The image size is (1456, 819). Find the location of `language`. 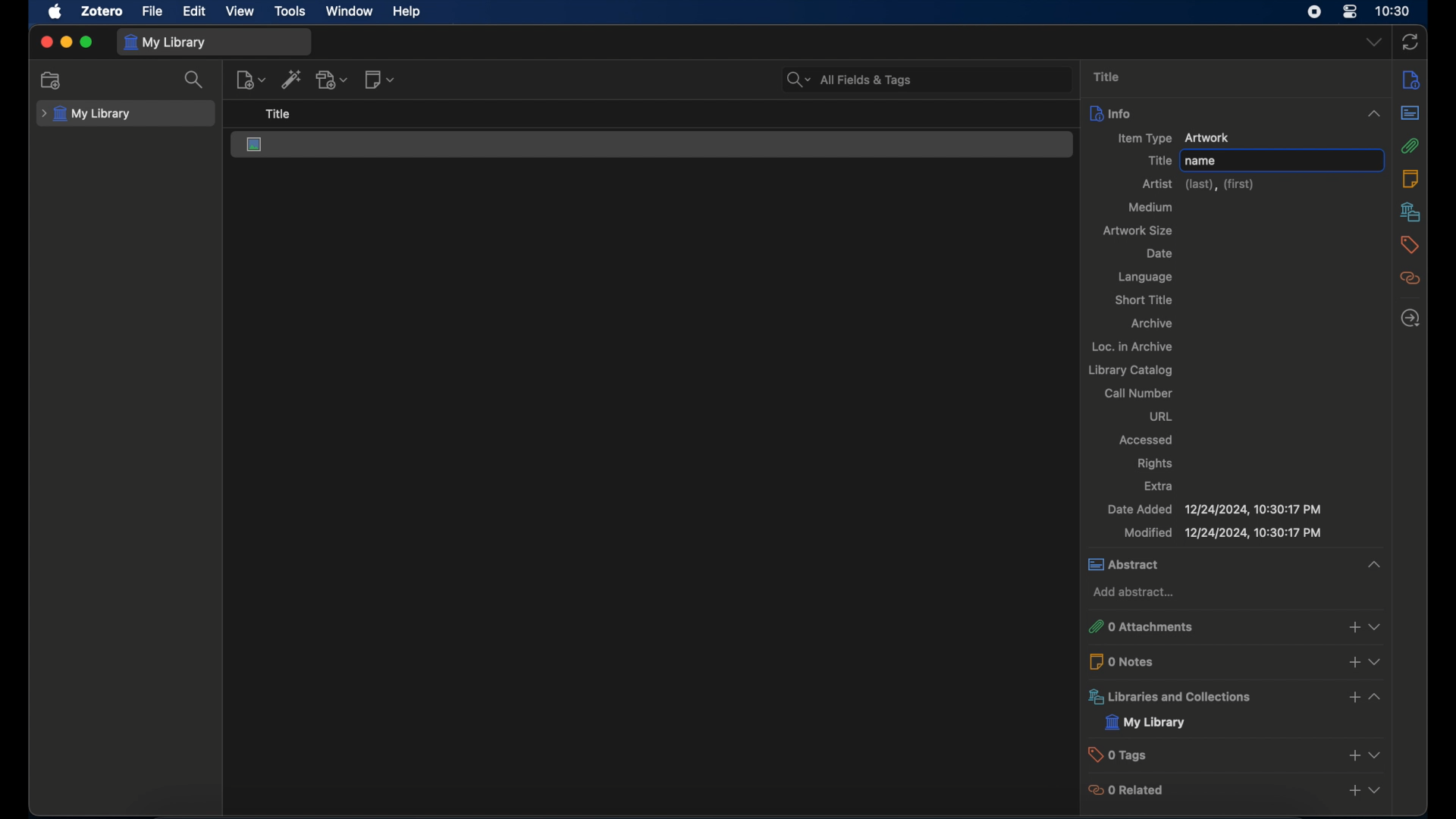

language is located at coordinates (1145, 278).